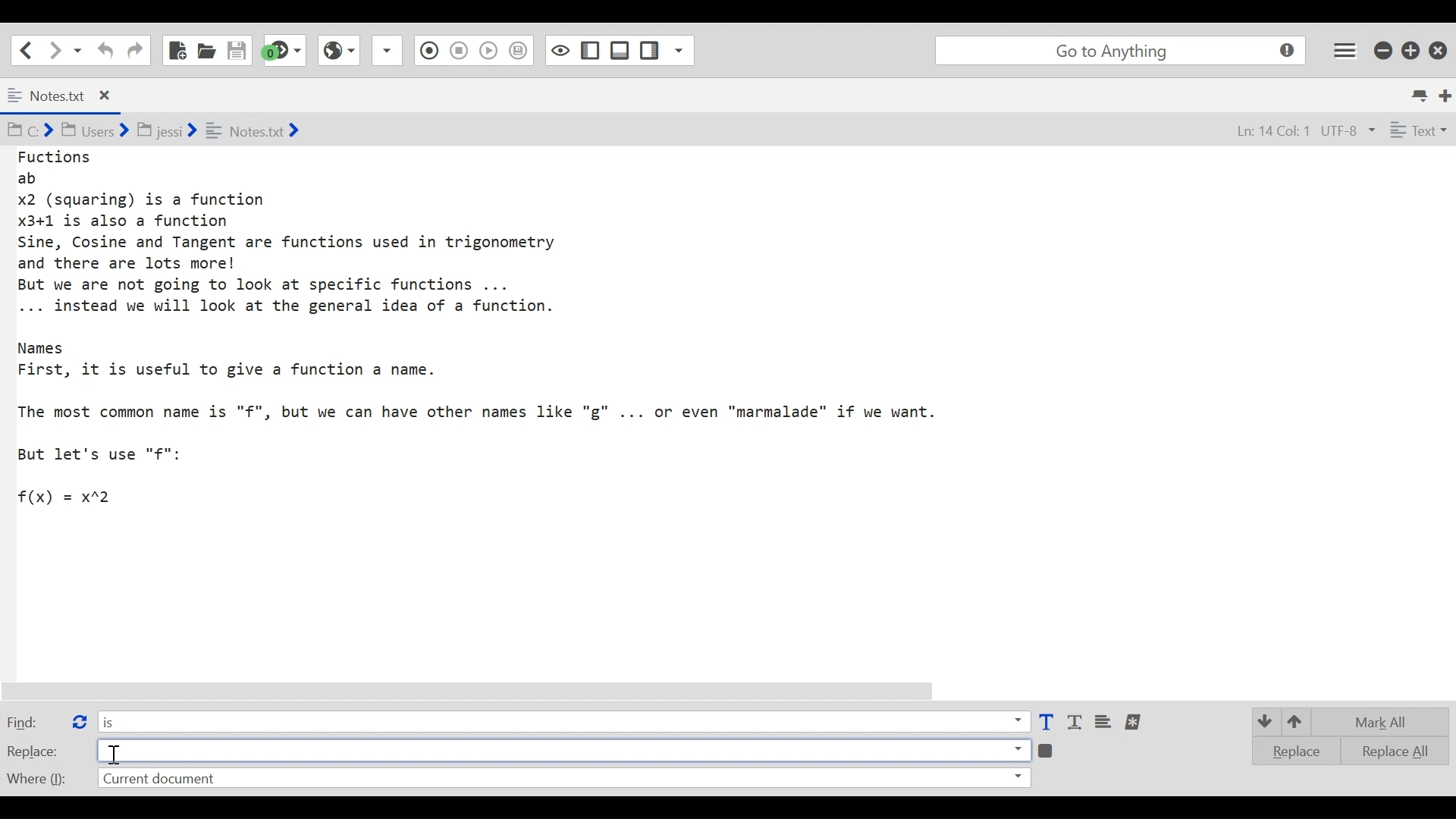  What do you see at coordinates (35, 777) in the screenshot?
I see `Where` at bounding box center [35, 777].